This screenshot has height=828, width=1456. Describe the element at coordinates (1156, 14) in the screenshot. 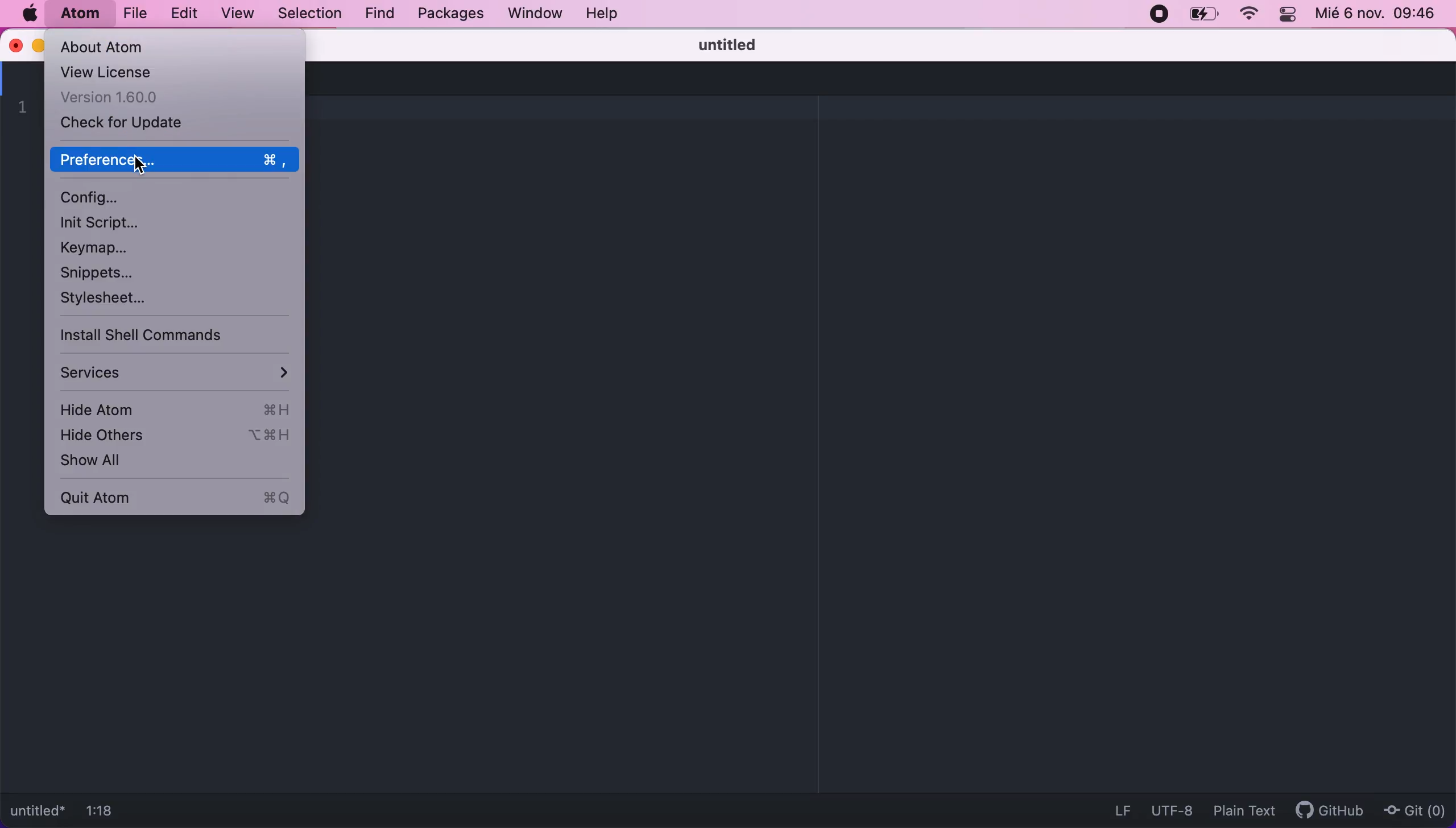

I see `recording stopped` at that location.